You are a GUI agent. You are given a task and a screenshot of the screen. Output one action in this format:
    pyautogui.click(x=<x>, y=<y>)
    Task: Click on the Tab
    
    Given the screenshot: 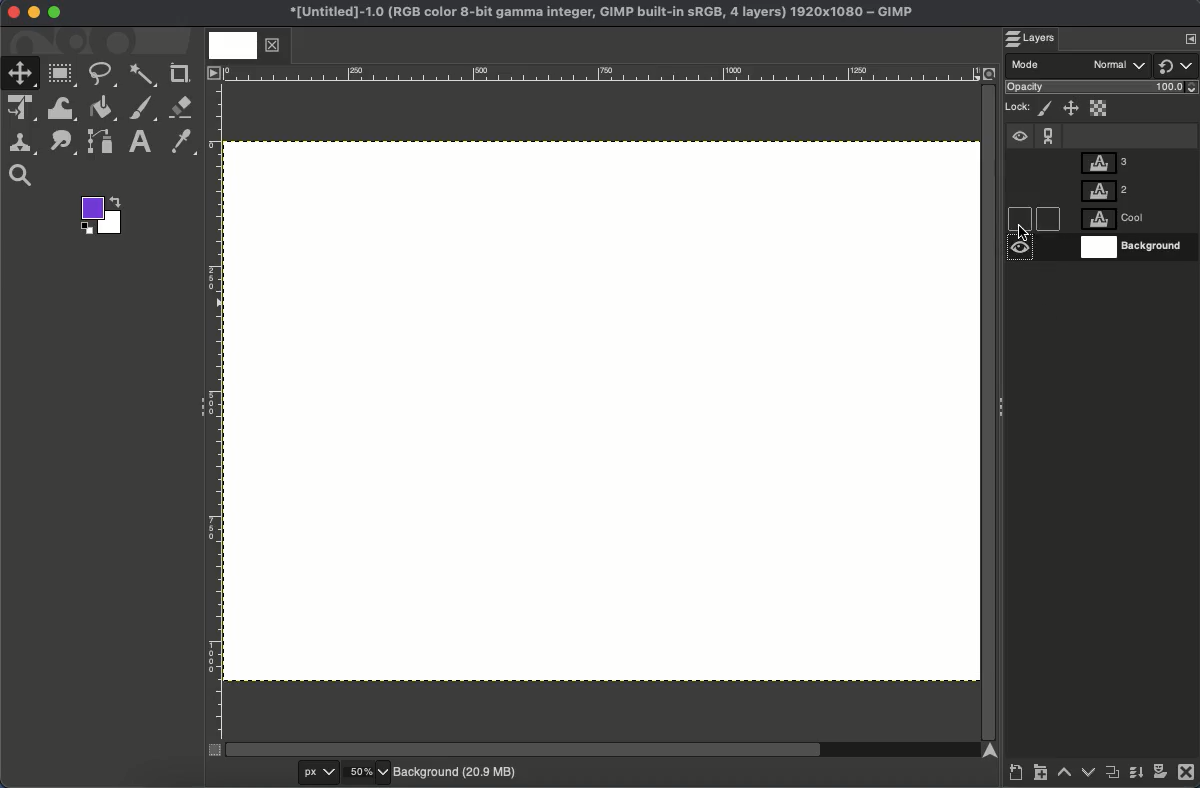 What is the action you would take?
    pyautogui.click(x=243, y=46)
    